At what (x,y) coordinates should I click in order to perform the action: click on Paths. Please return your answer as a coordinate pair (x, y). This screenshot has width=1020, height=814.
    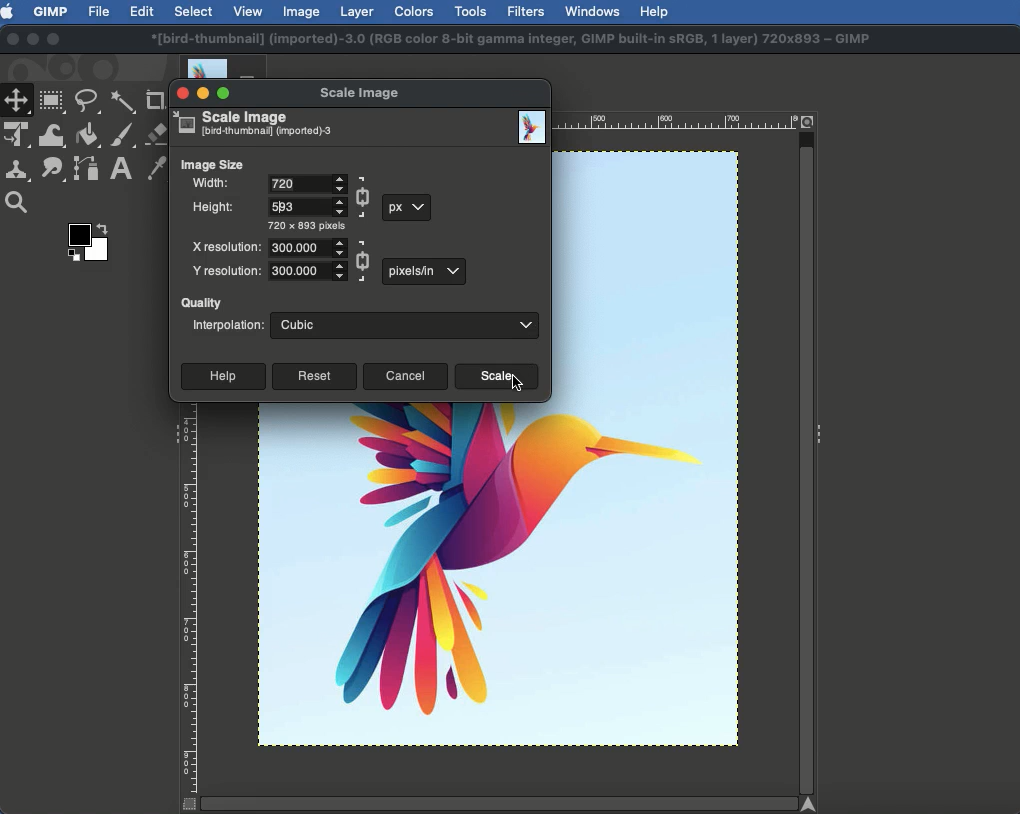
    Looking at the image, I should click on (86, 169).